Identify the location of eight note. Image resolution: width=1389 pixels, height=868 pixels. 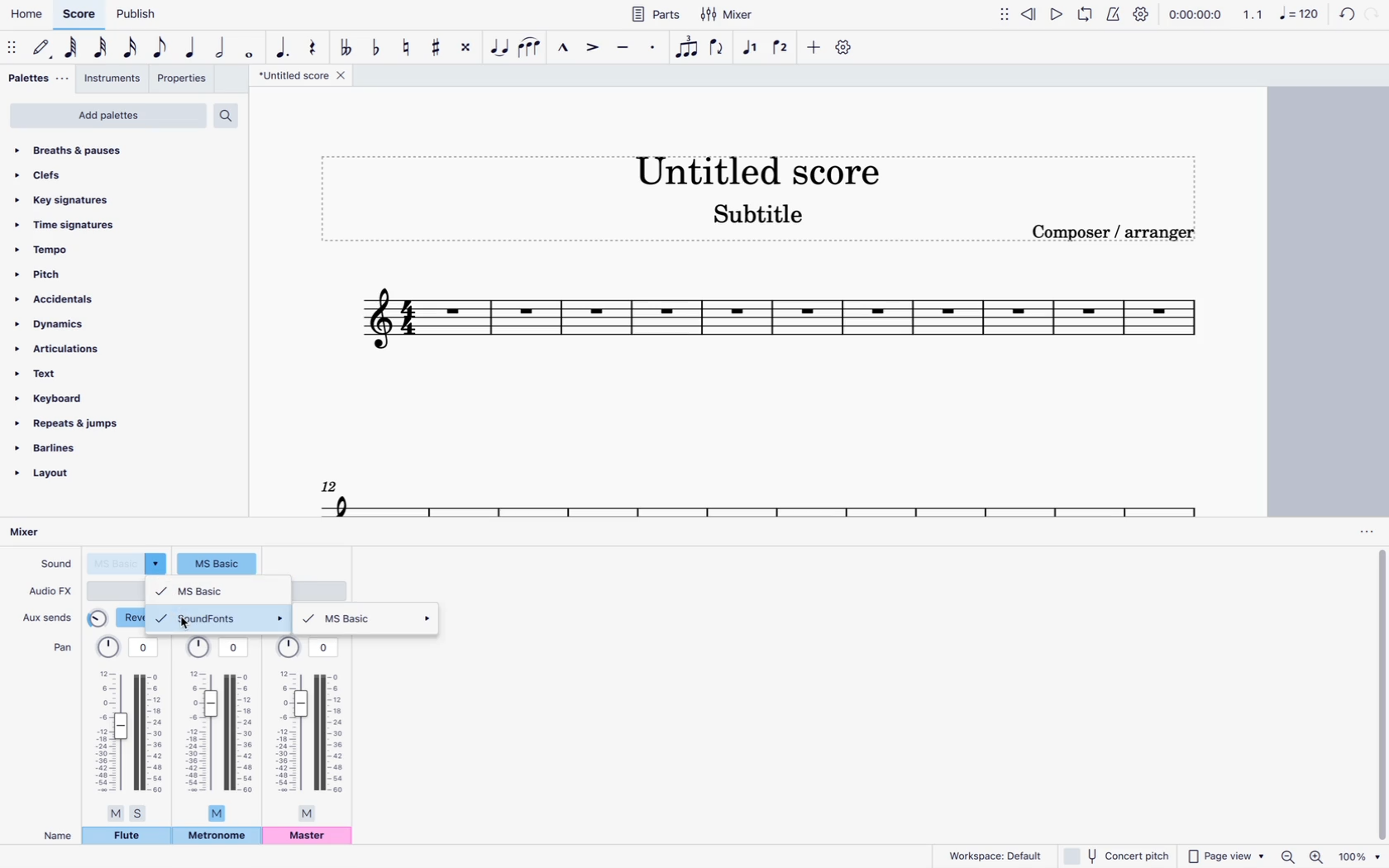
(161, 50).